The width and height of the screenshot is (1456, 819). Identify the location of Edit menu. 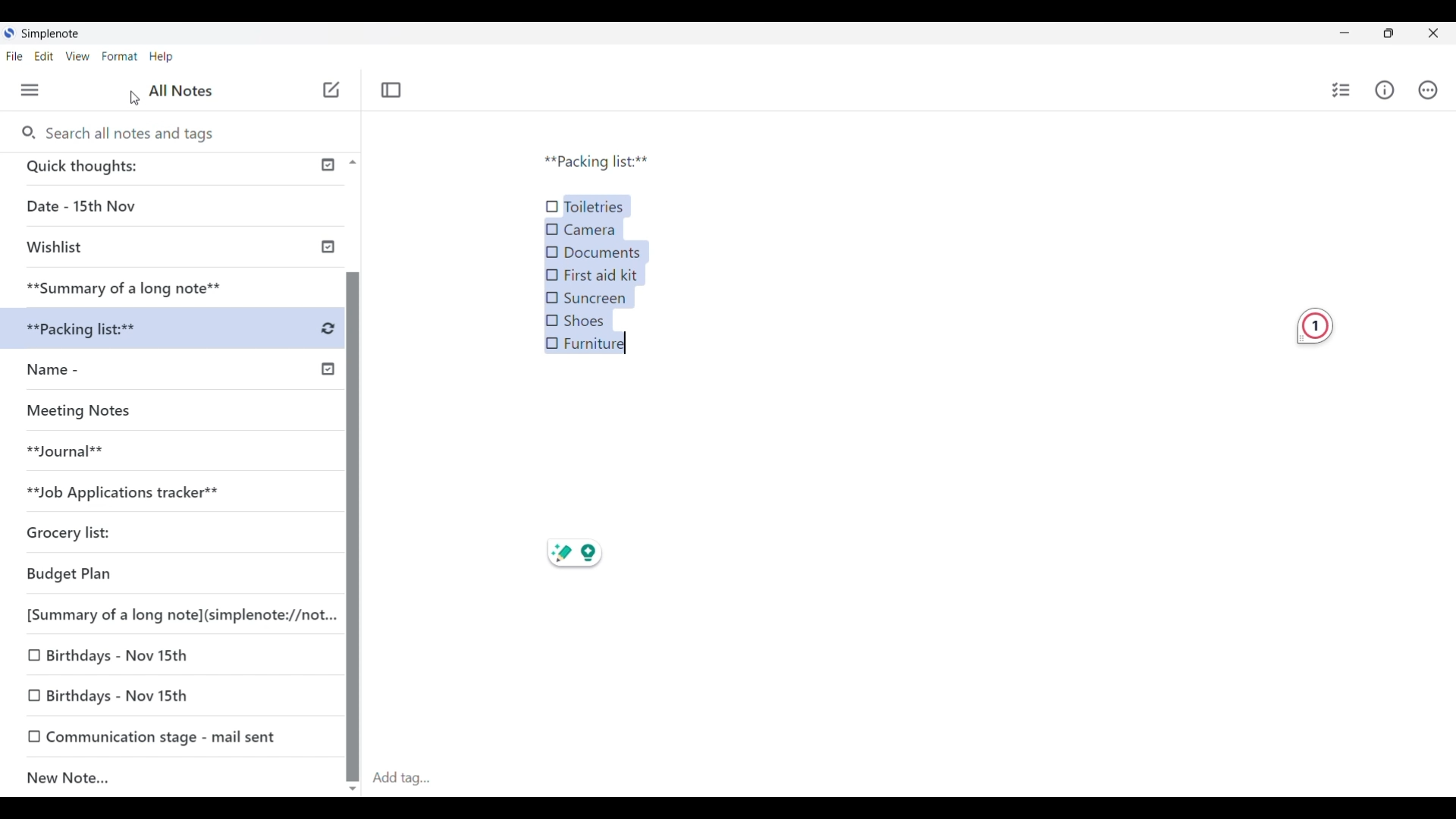
(45, 56).